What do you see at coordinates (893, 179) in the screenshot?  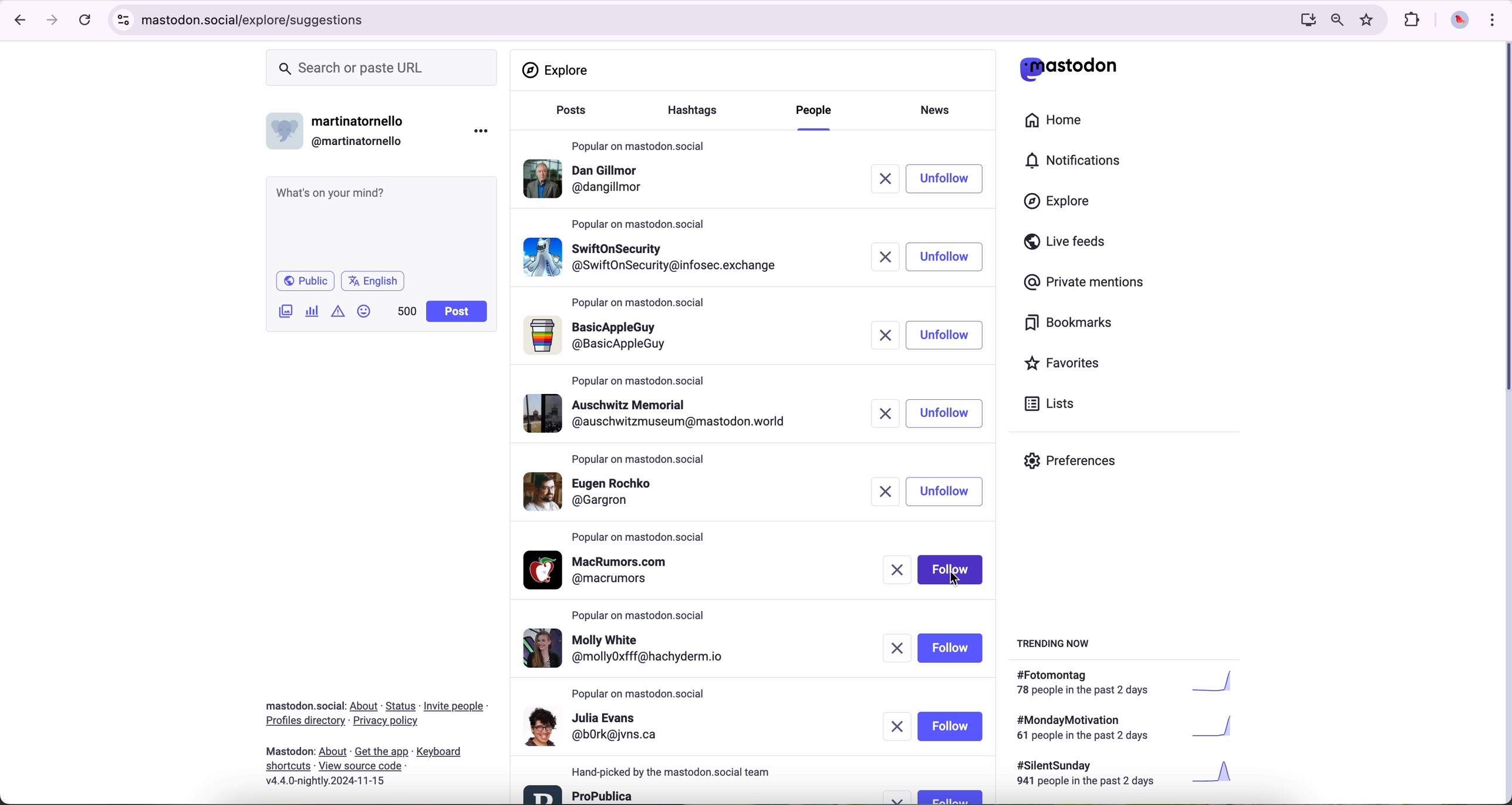 I see `remove` at bounding box center [893, 179].